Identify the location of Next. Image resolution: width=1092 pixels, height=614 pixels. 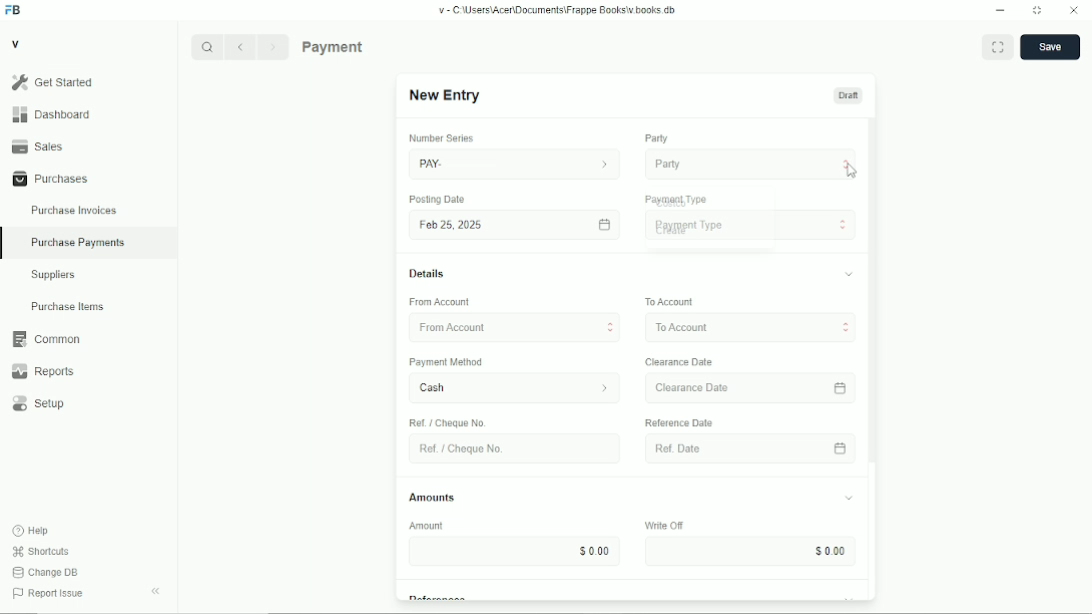
(274, 47).